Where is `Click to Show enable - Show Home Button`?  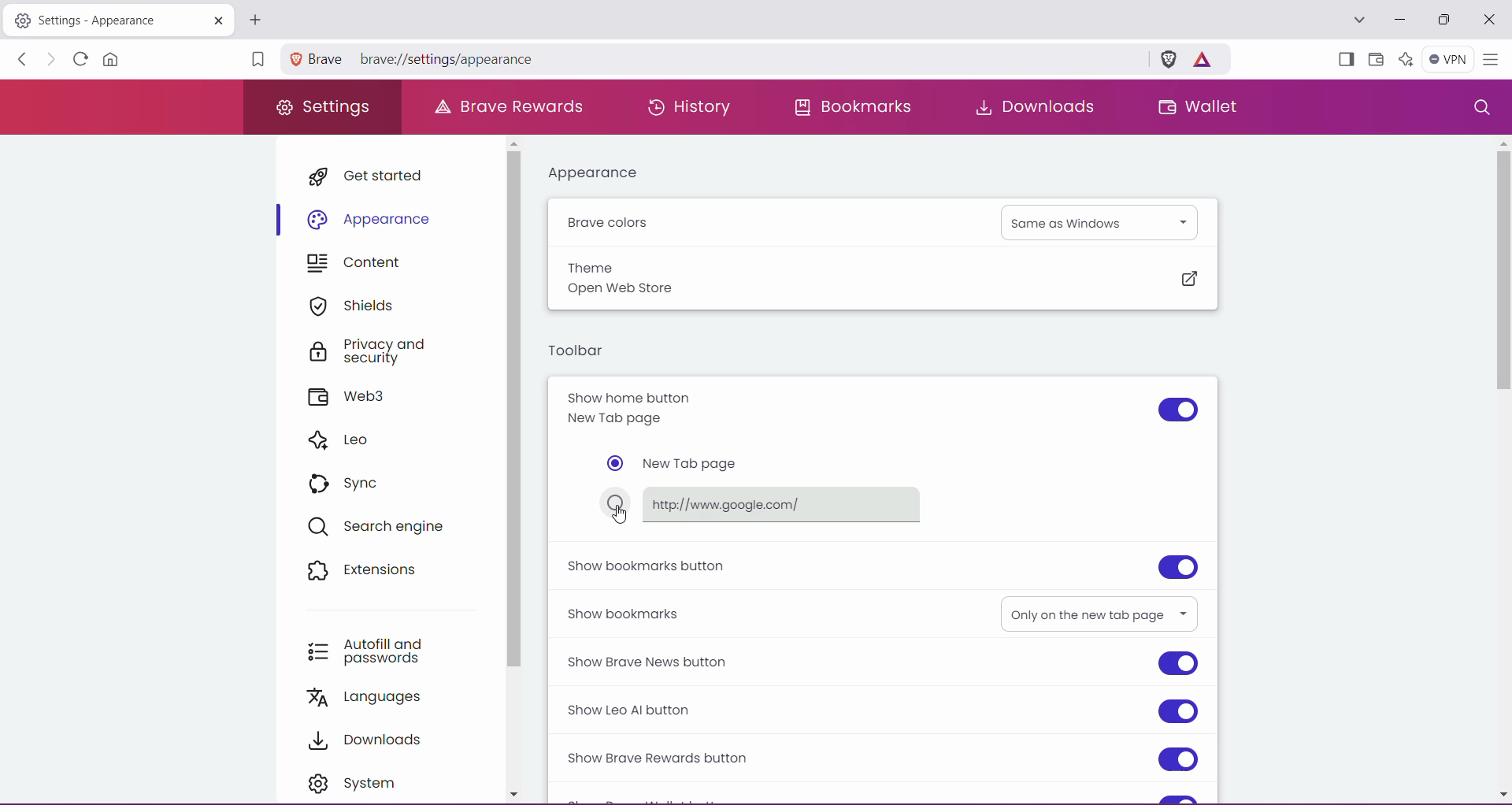 Click to Show enable - Show Home Button is located at coordinates (1177, 410).